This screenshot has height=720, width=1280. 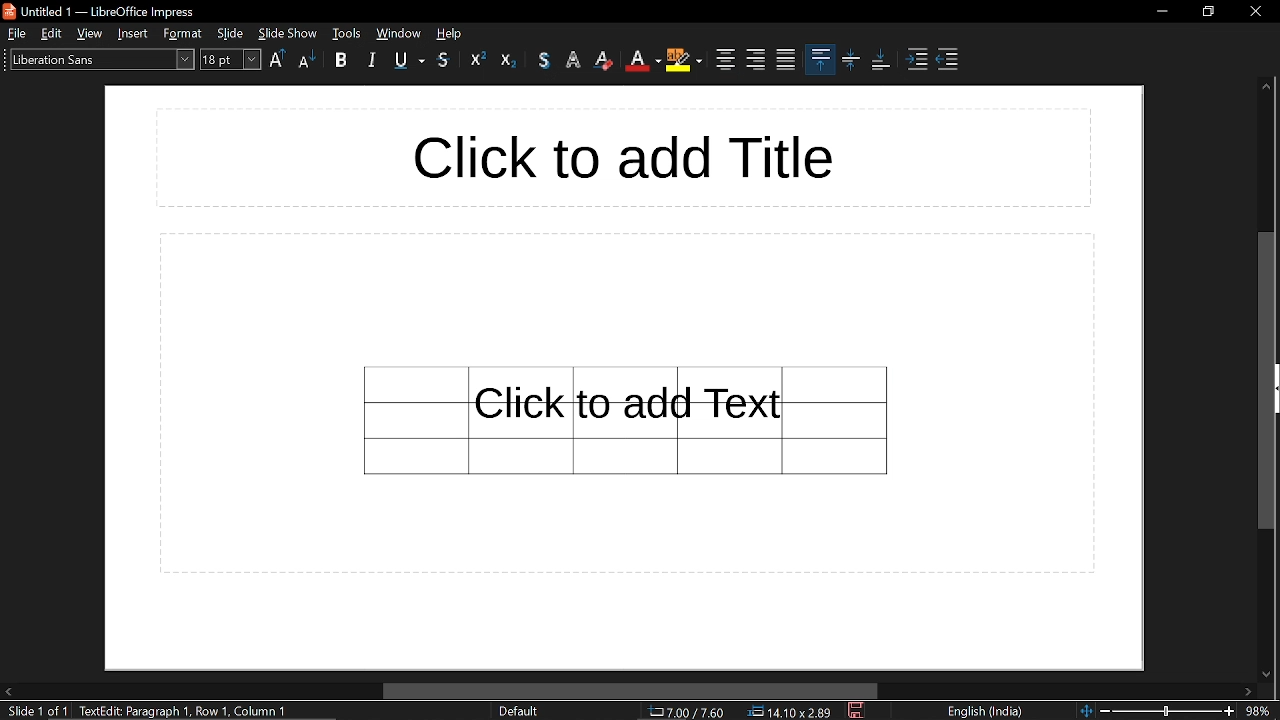 What do you see at coordinates (345, 62) in the screenshot?
I see `bold` at bounding box center [345, 62].